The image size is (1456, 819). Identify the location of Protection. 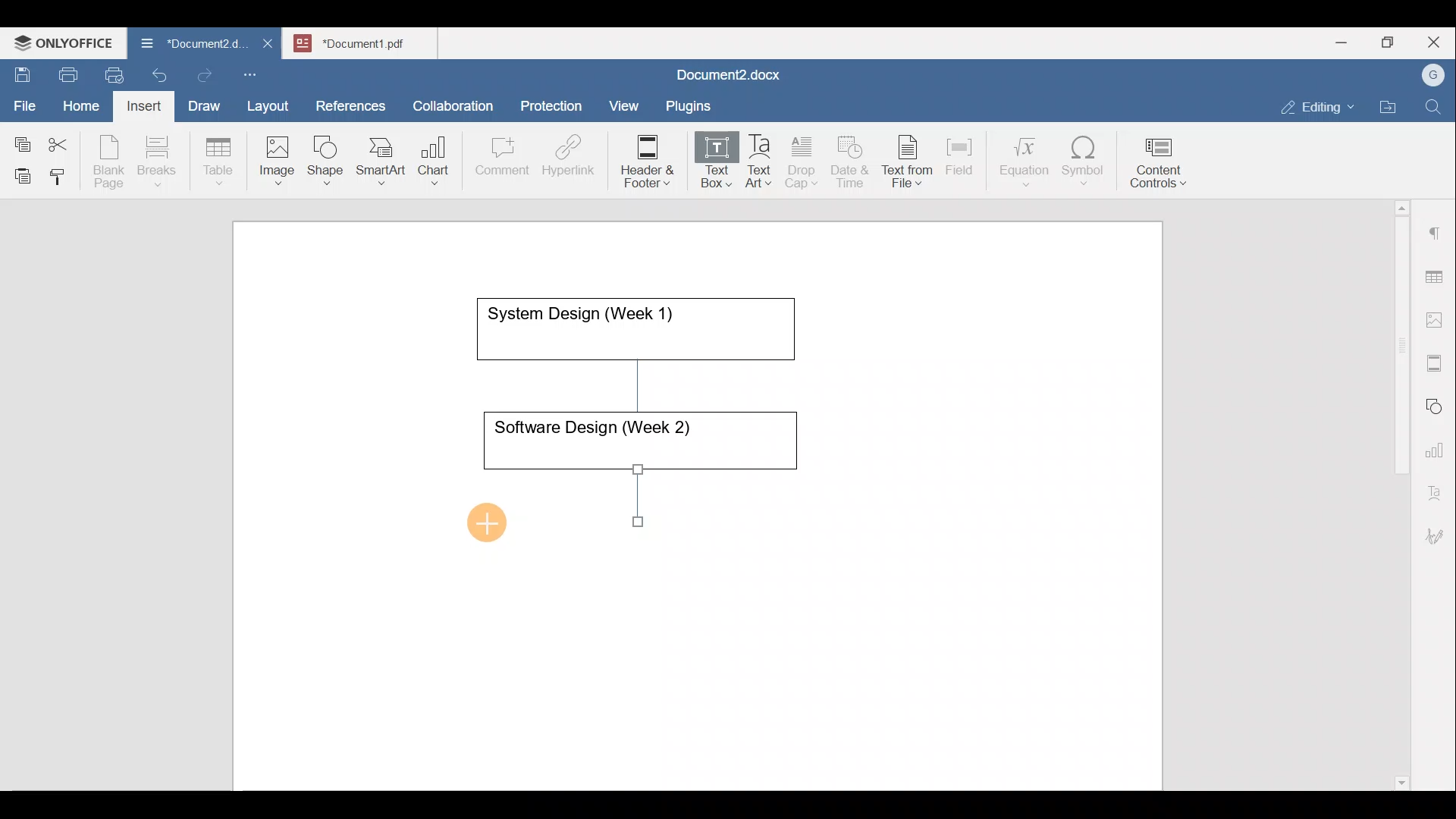
(556, 104).